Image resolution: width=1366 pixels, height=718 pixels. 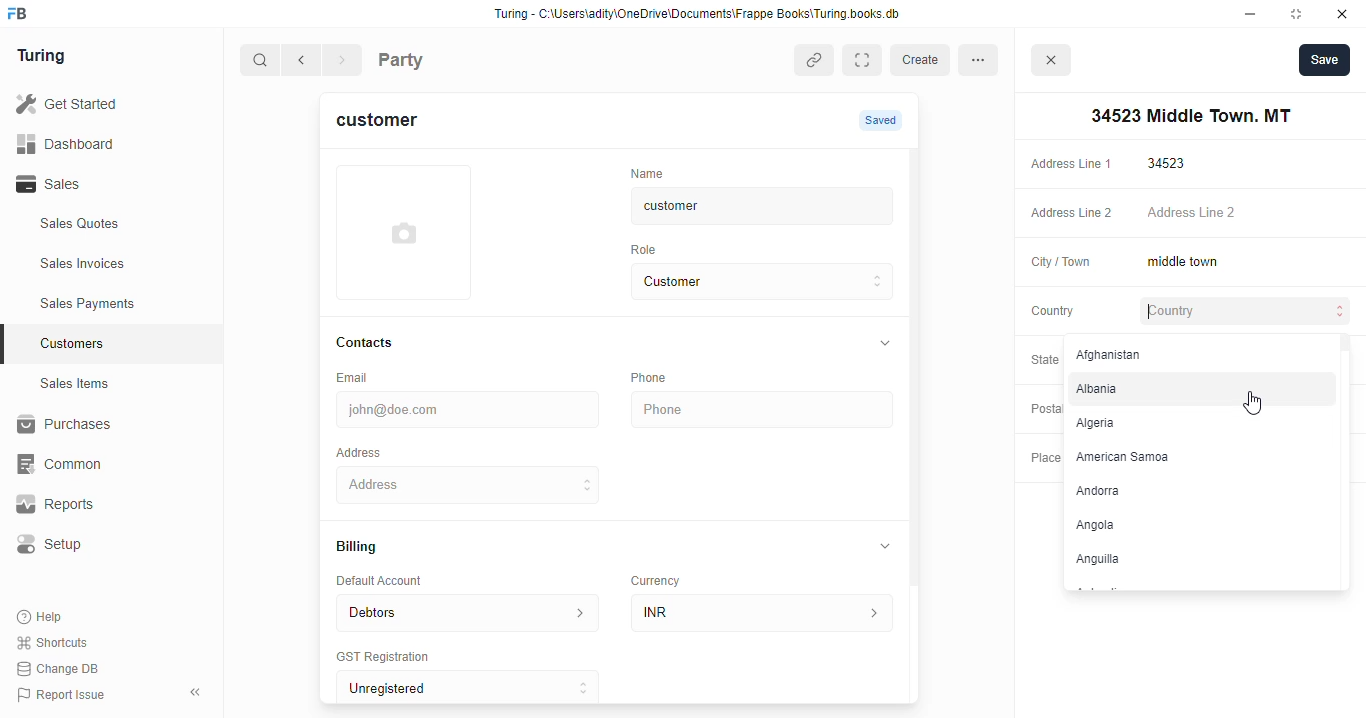 I want to click on Sales Items., so click(x=111, y=384).